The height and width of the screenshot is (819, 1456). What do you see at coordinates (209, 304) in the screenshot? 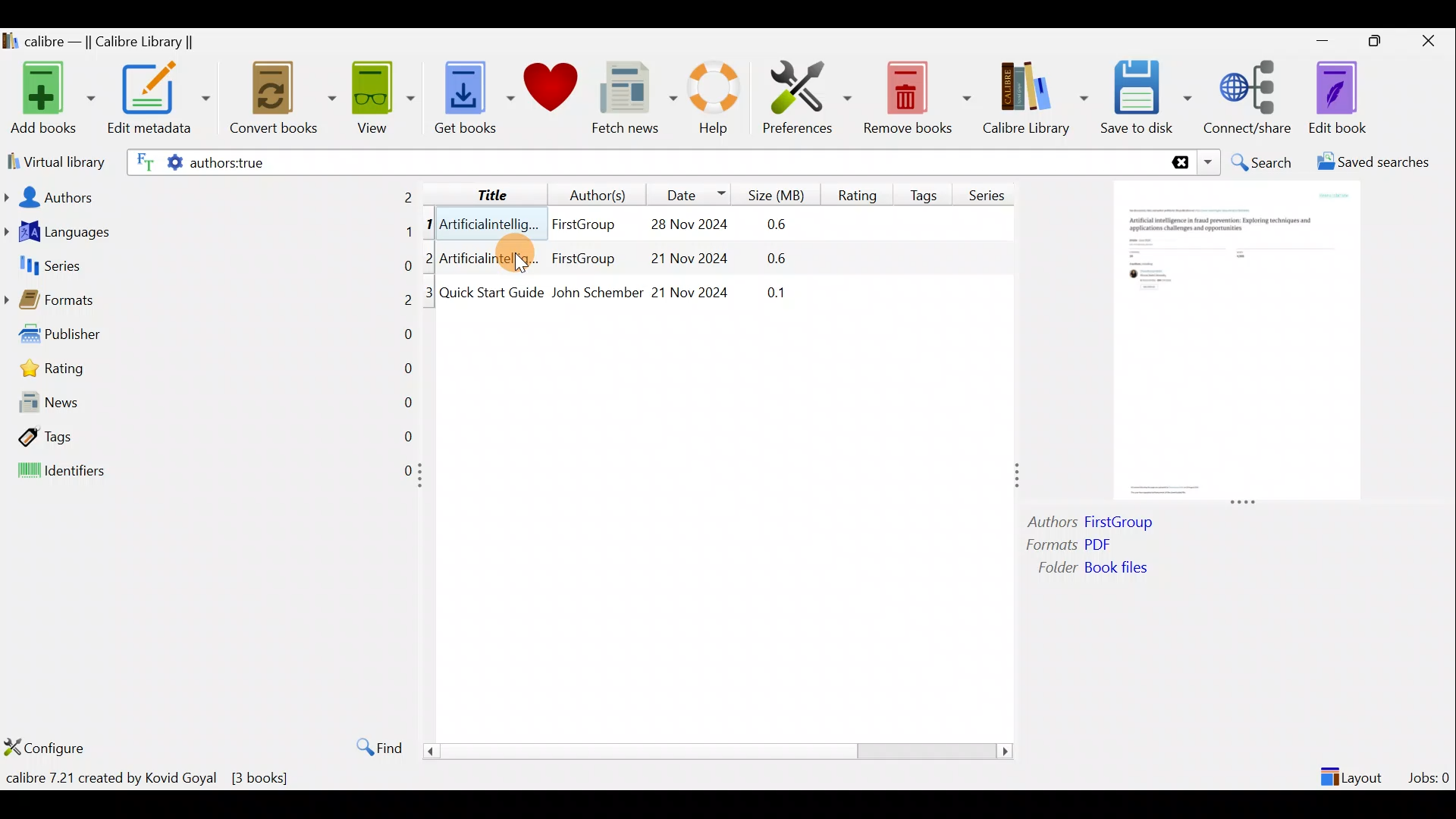
I see `Formats` at bounding box center [209, 304].